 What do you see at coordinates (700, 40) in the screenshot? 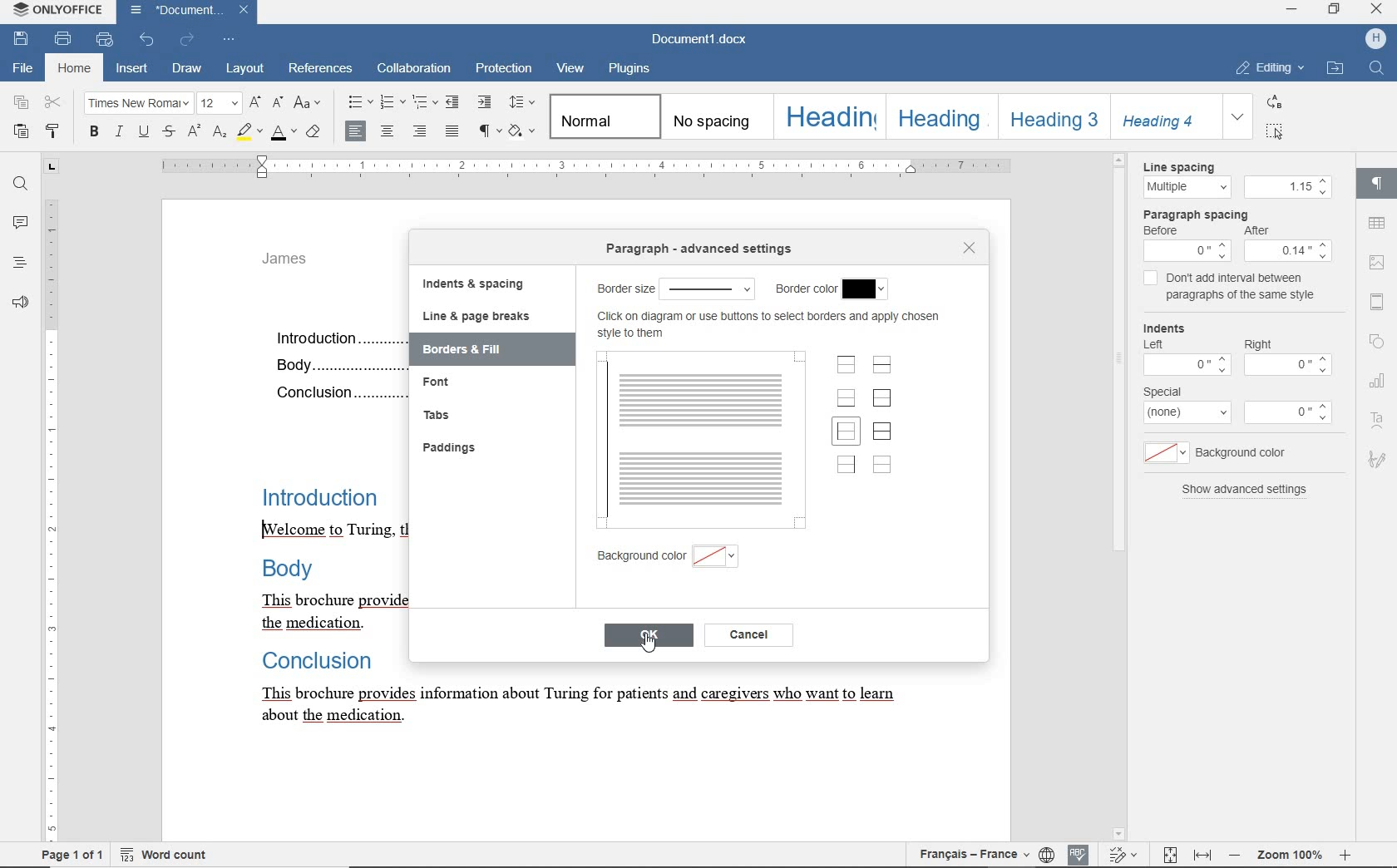
I see `document name` at bounding box center [700, 40].